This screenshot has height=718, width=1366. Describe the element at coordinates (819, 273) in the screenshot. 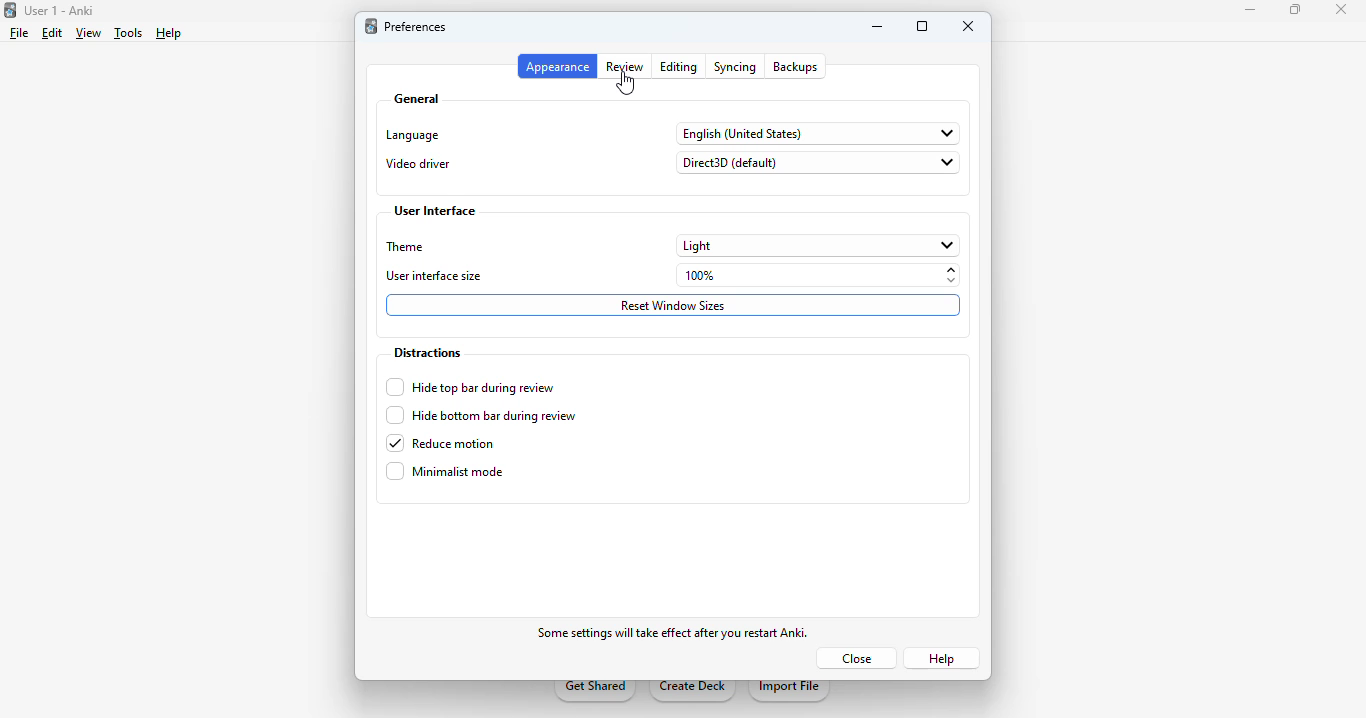

I see `100%` at that location.